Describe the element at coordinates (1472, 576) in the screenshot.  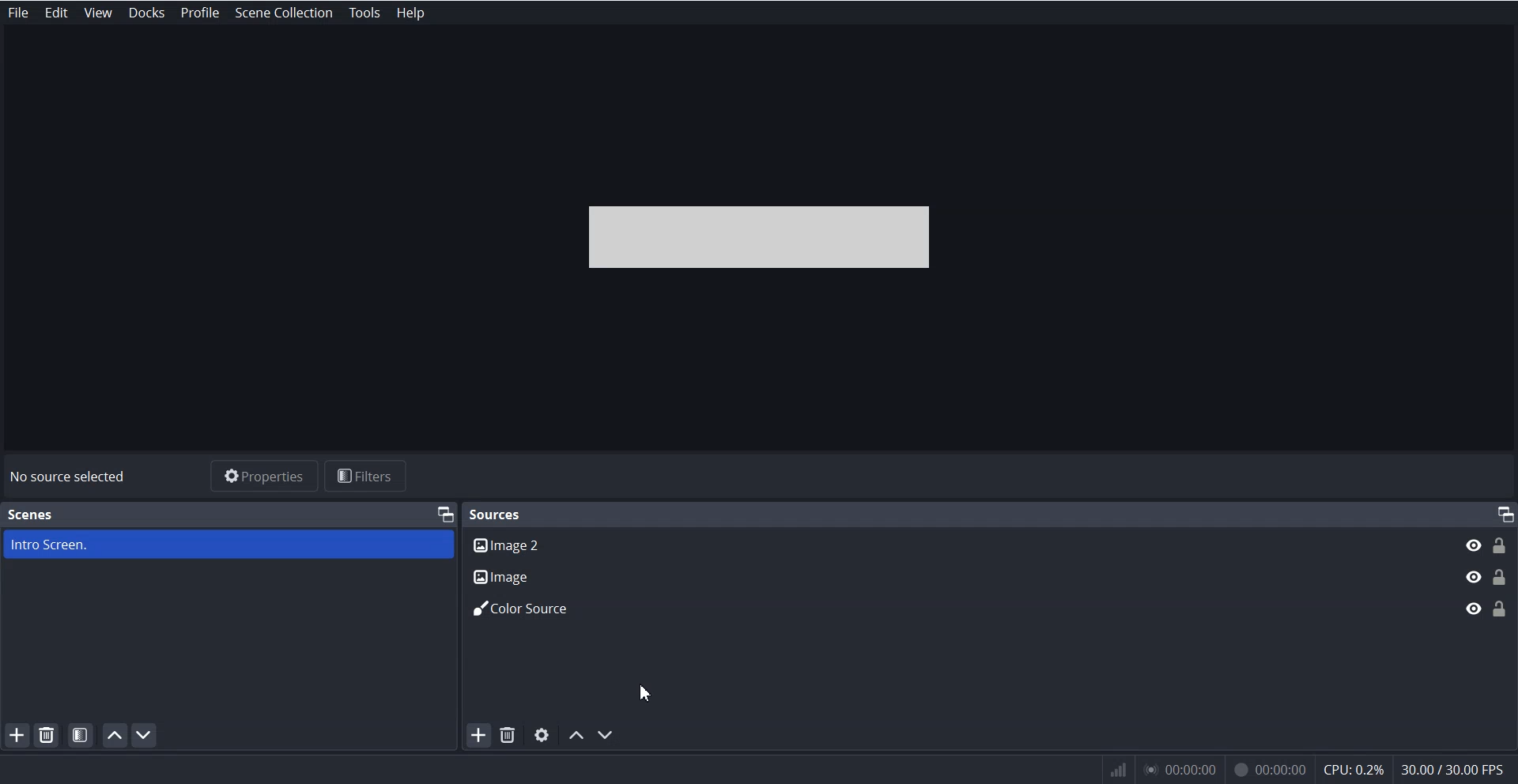
I see `Eye` at that location.